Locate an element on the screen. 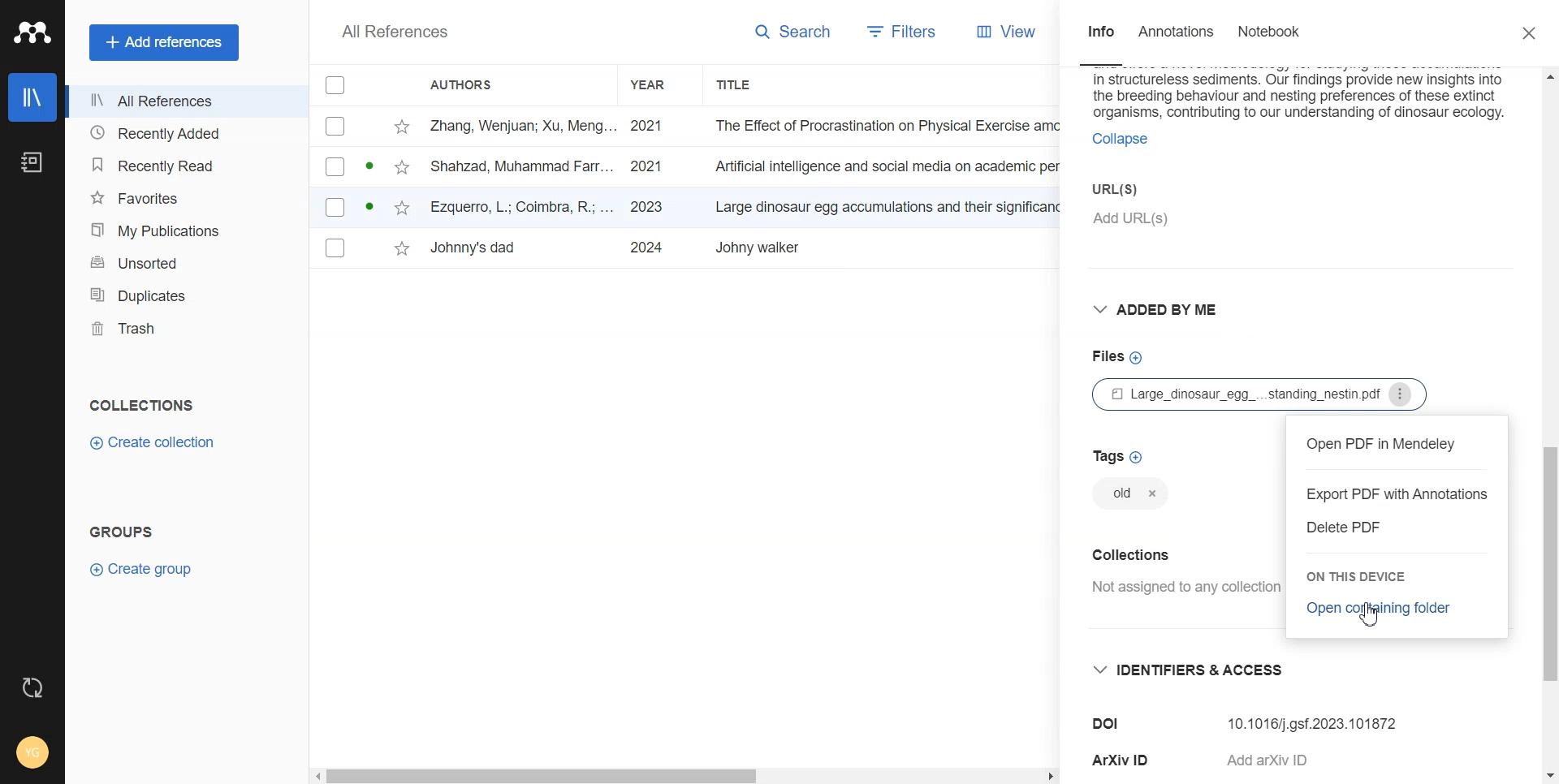 This screenshot has width=1559, height=784. Collapse is located at coordinates (1118, 139).